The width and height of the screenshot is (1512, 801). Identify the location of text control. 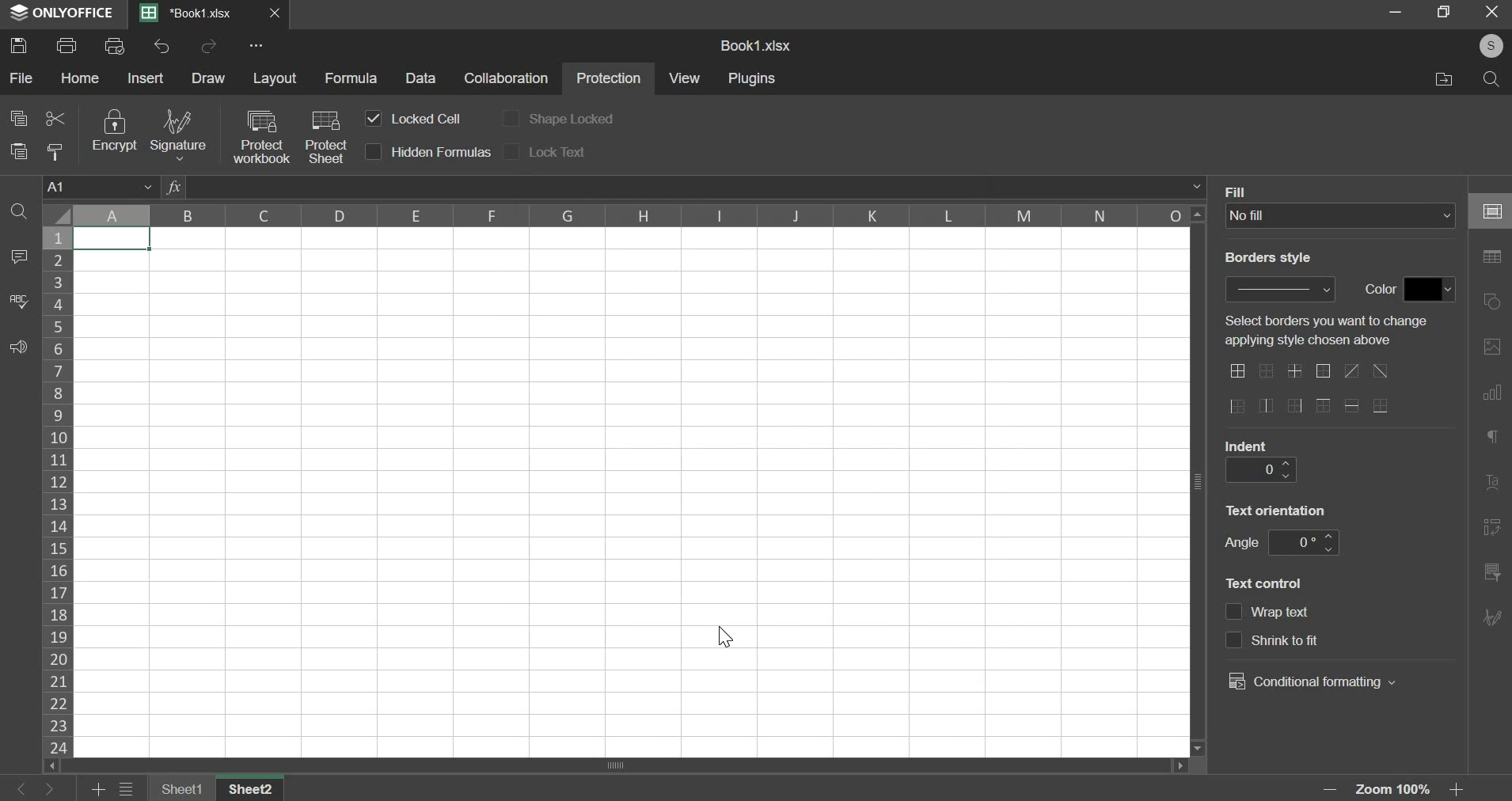
(1284, 613).